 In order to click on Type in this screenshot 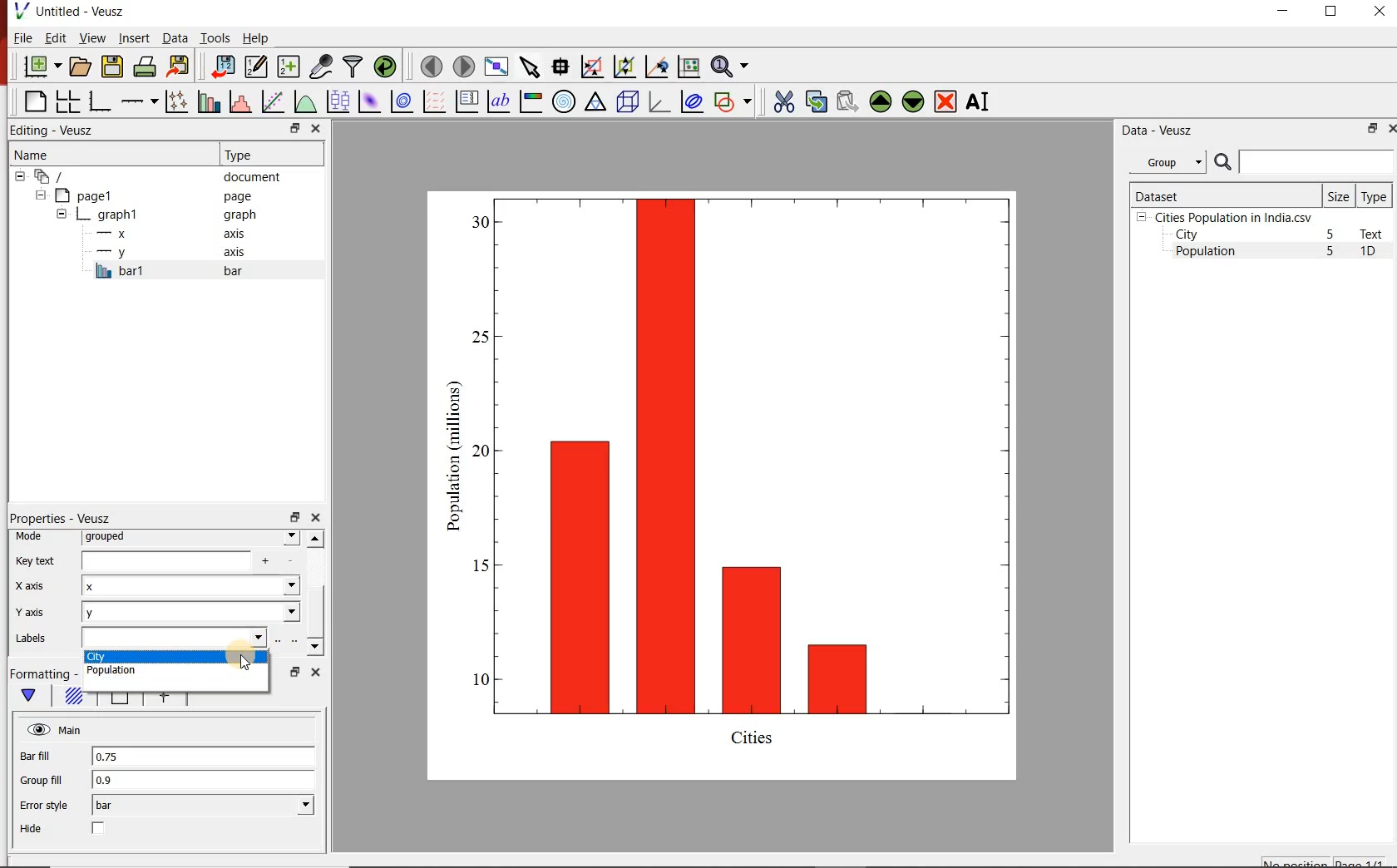, I will do `click(1375, 195)`.